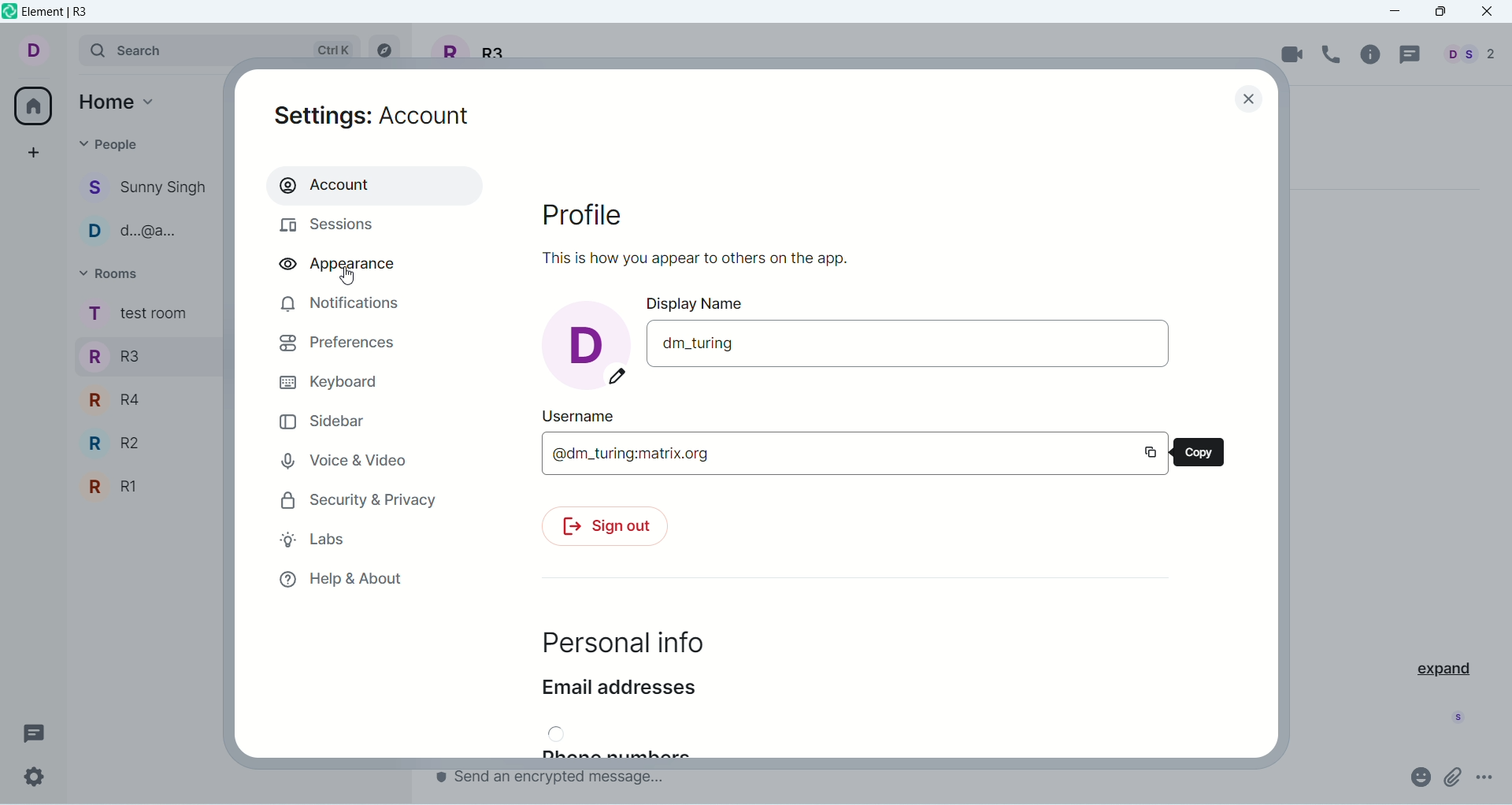  I want to click on email addresses, so click(622, 694).